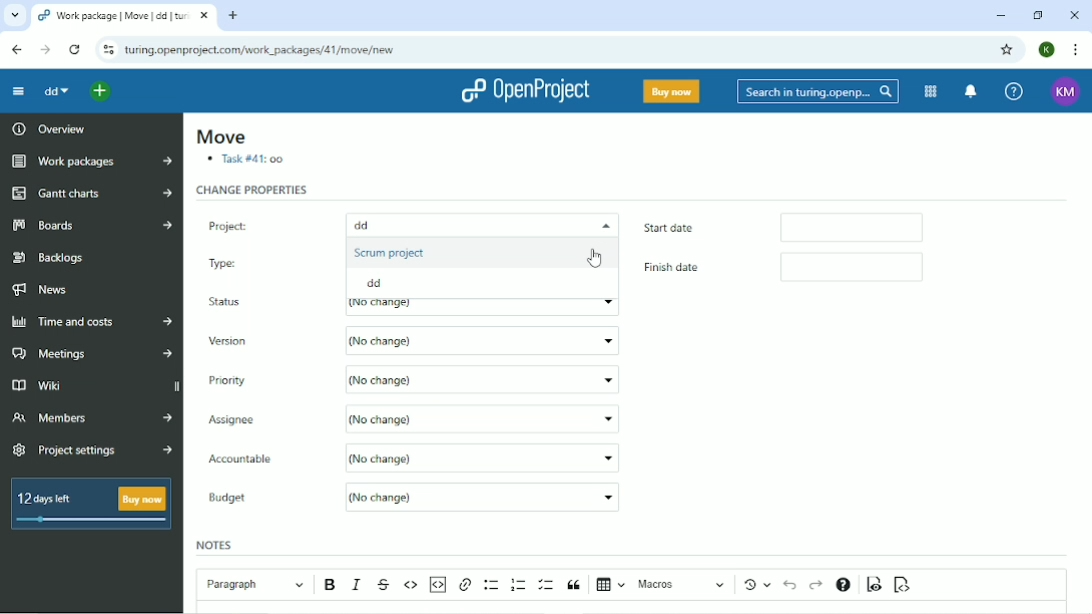 This screenshot has width=1092, height=614. What do you see at coordinates (999, 16) in the screenshot?
I see `Minimize` at bounding box center [999, 16].